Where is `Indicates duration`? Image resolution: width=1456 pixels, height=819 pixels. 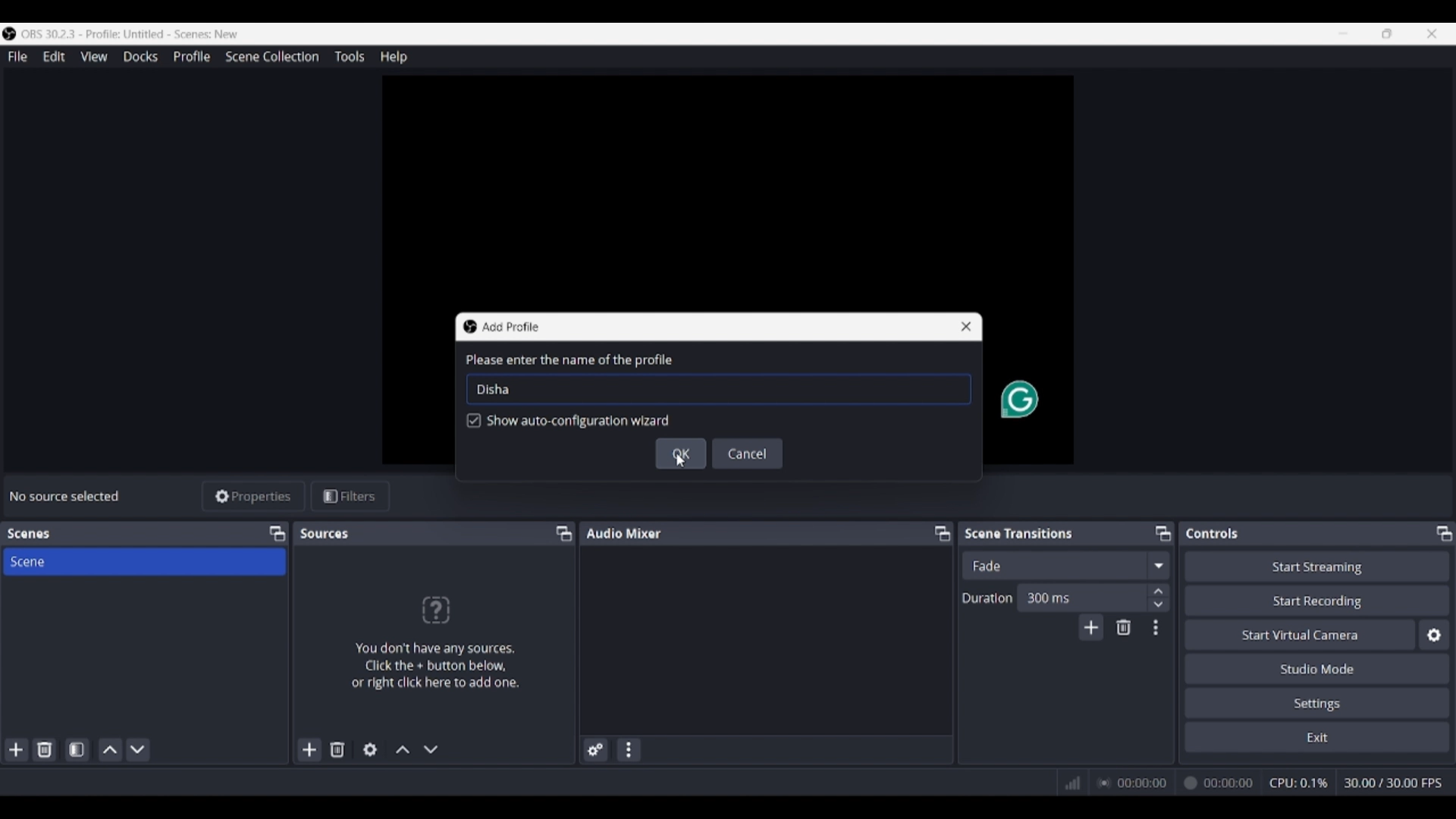
Indicates duration is located at coordinates (987, 598).